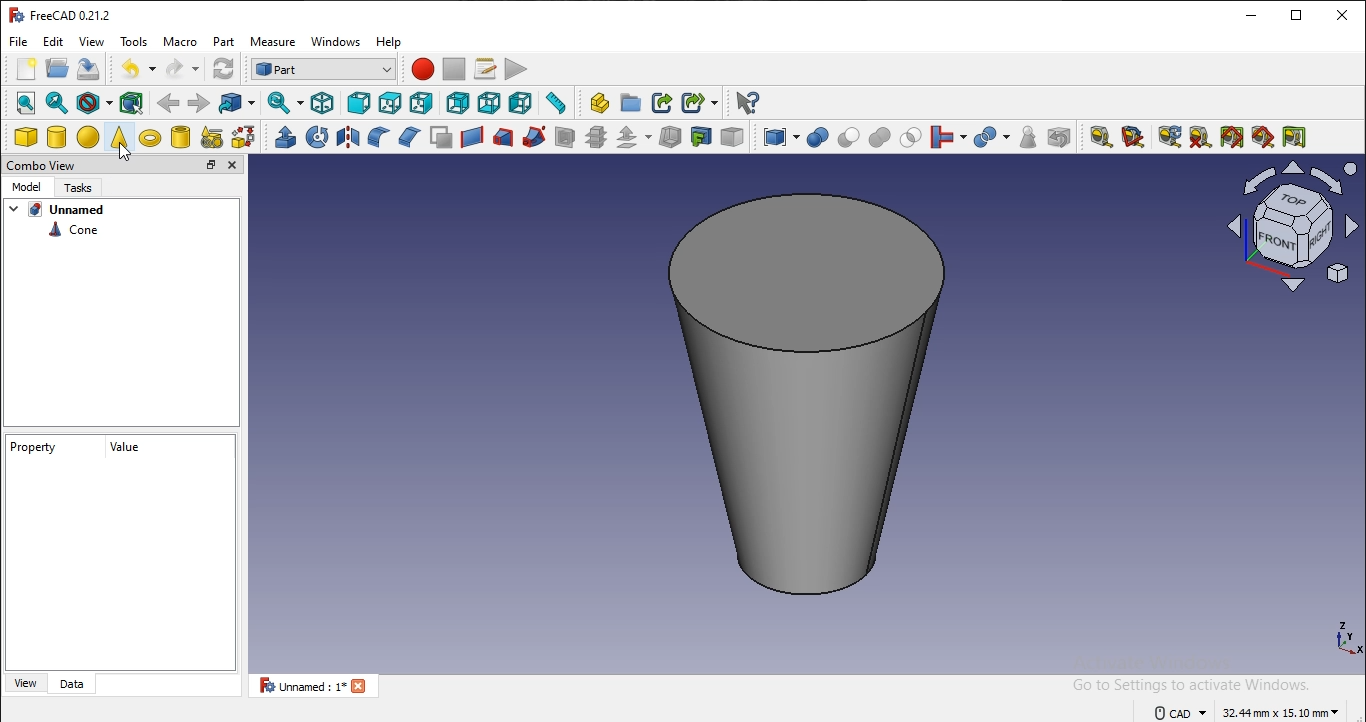  What do you see at coordinates (847, 136) in the screenshot?
I see `cut` at bounding box center [847, 136].